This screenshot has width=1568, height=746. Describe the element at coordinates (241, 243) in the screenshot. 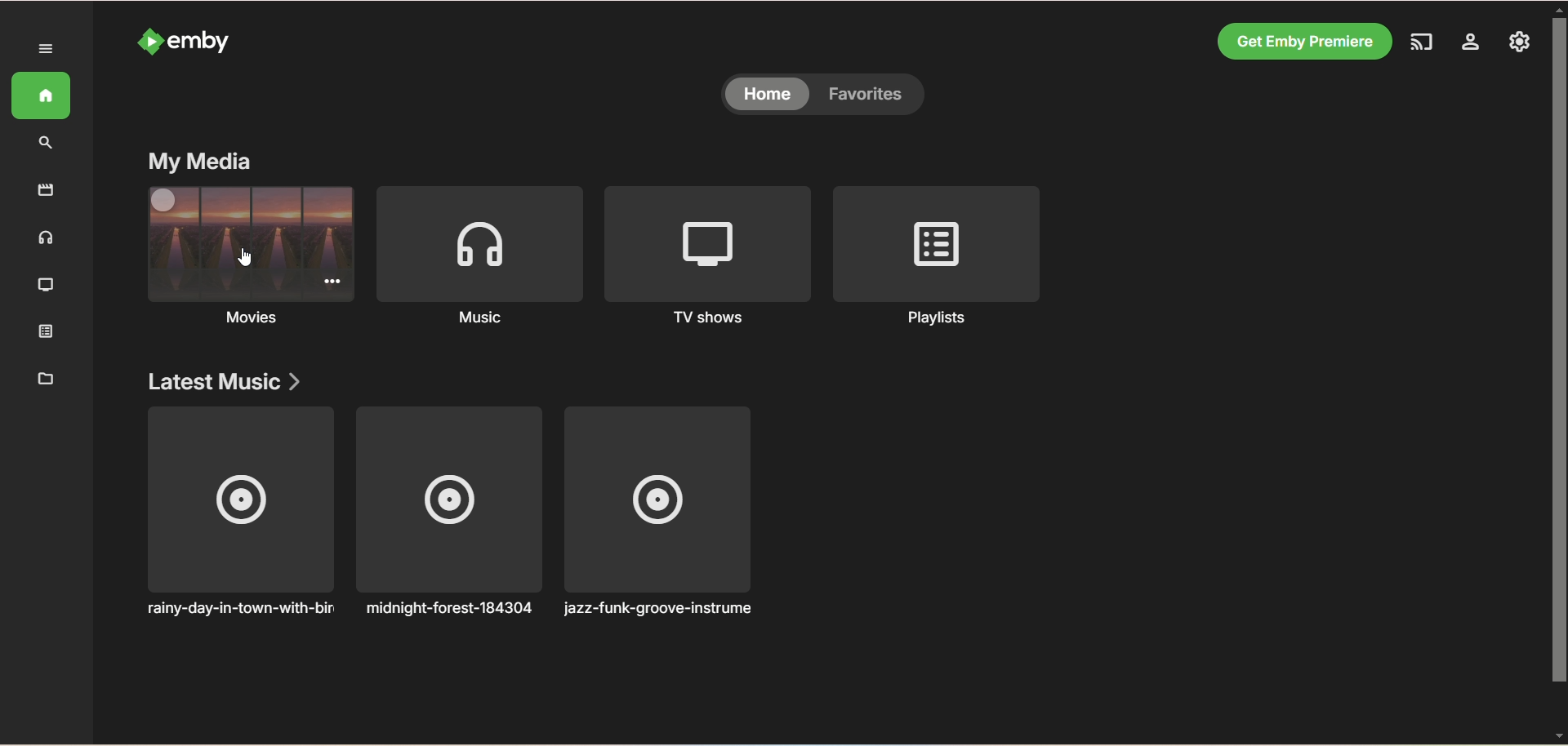

I see `movies` at that location.